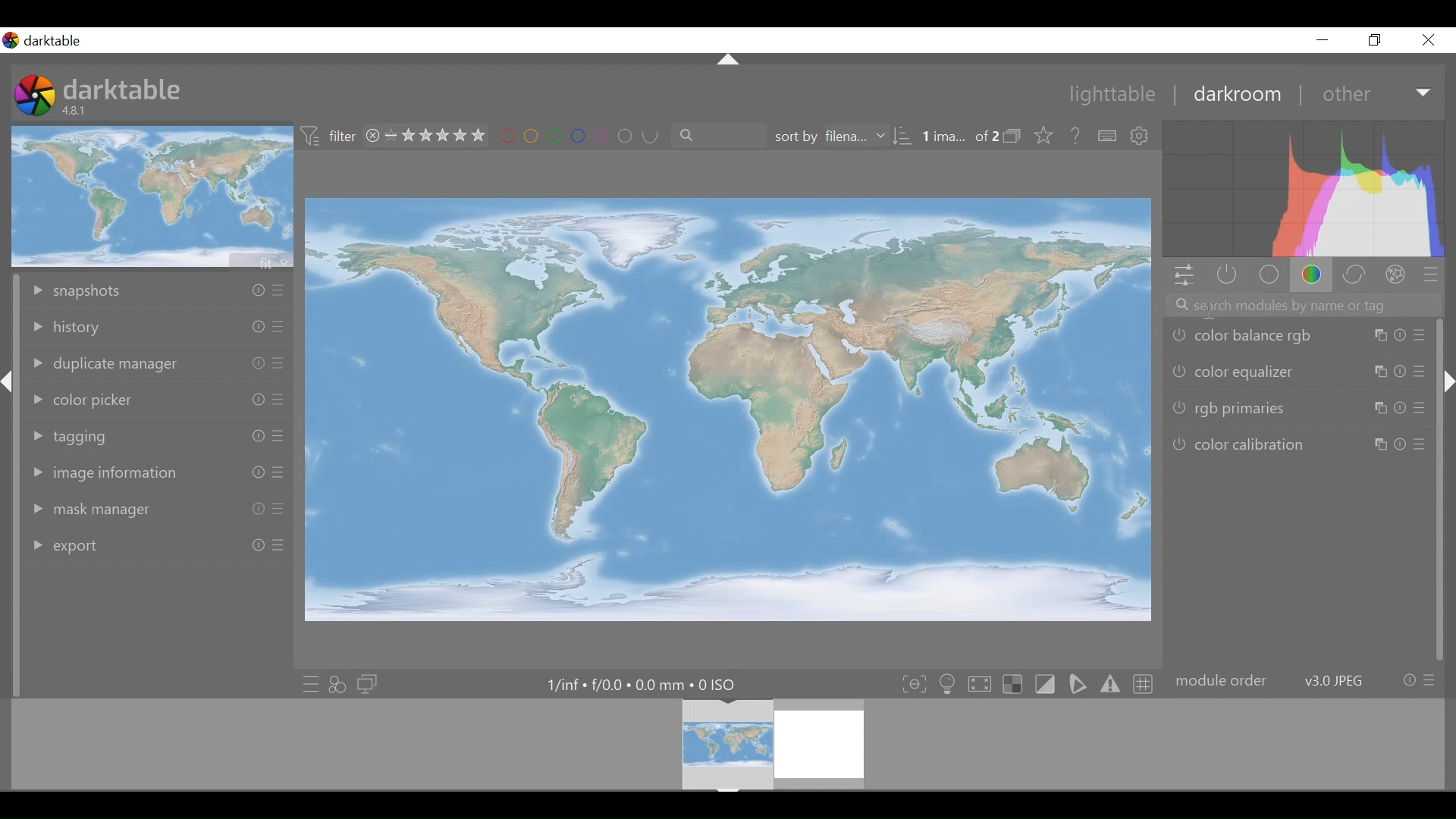 The width and height of the screenshot is (1456, 819). What do you see at coordinates (158, 435) in the screenshot?
I see `tagging` at bounding box center [158, 435].